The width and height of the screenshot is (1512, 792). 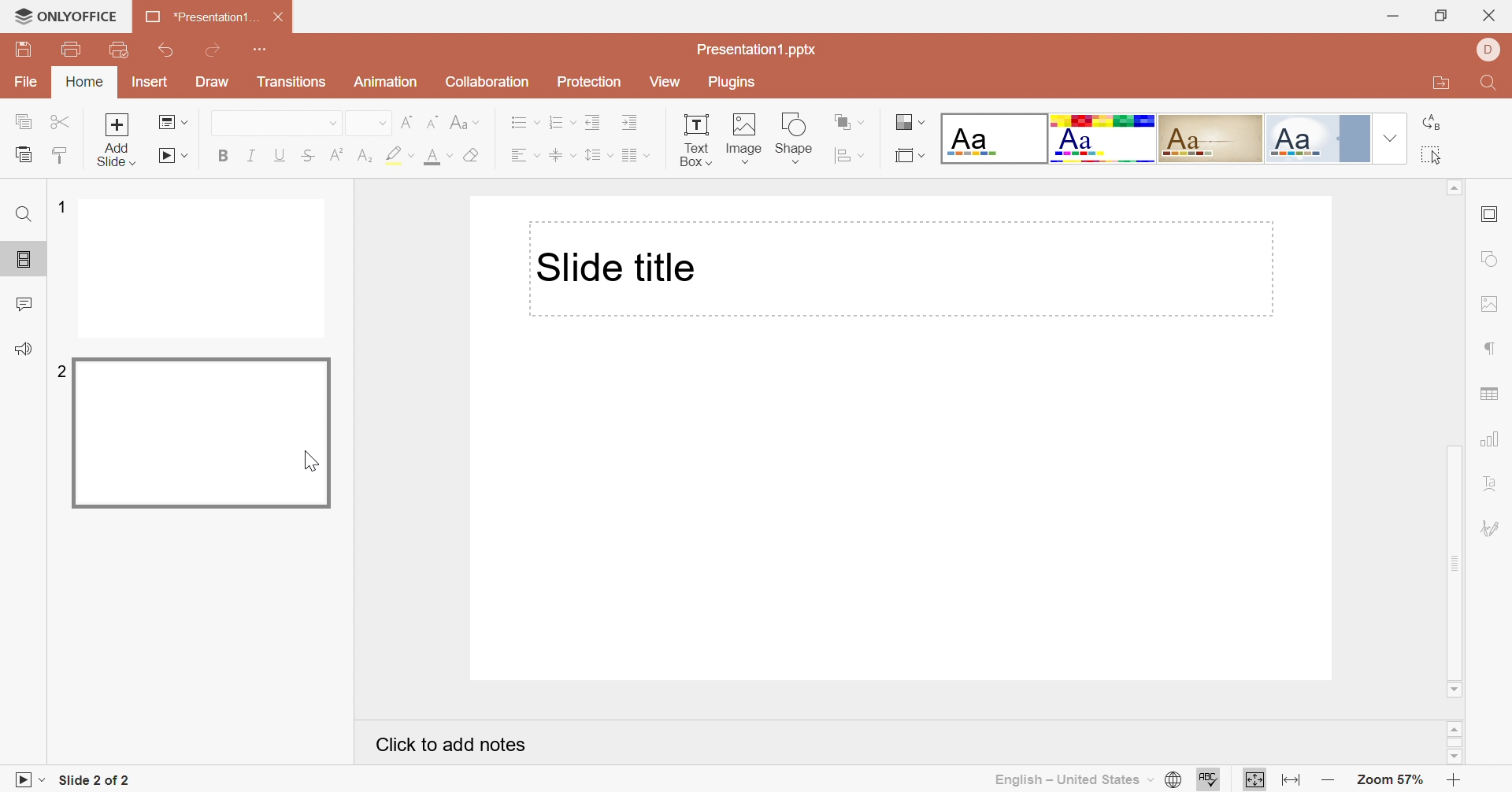 What do you see at coordinates (746, 135) in the screenshot?
I see `Image` at bounding box center [746, 135].